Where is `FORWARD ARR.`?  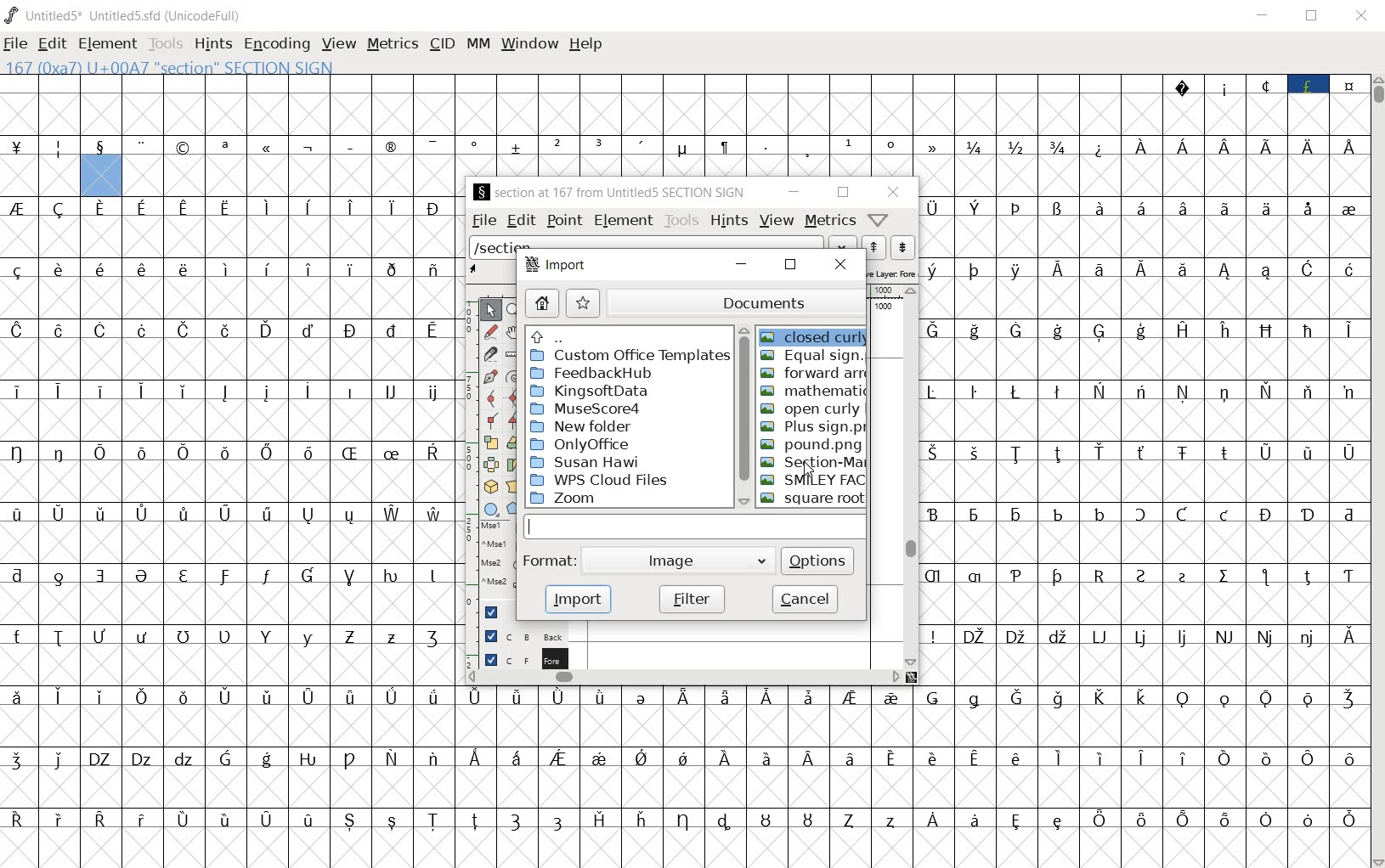
FORWARD ARR. is located at coordinates (813, 374).